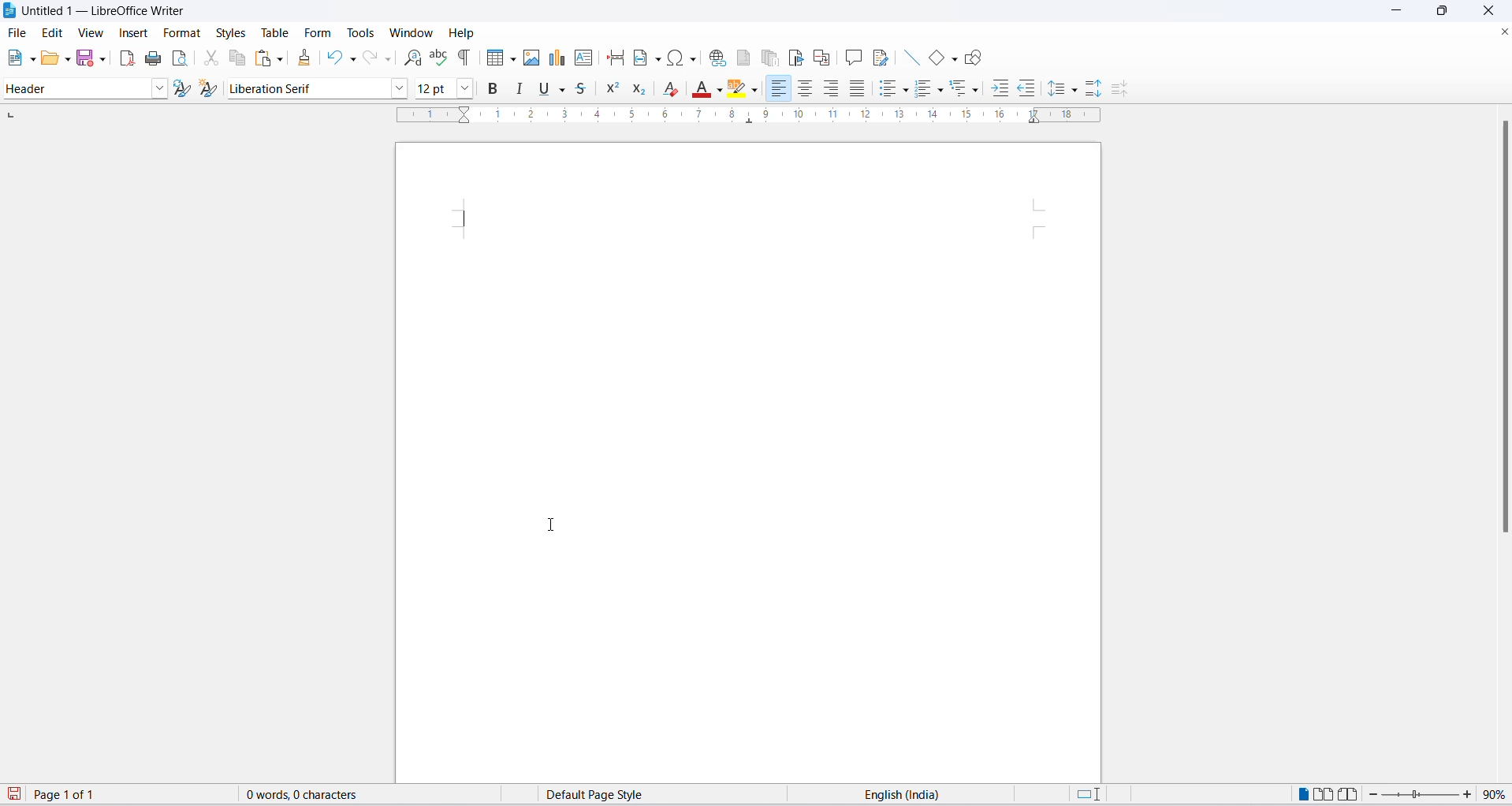 Image resolution: width=1512 pixels, height=806 pixels. I want to click on line, so click(906, 57).